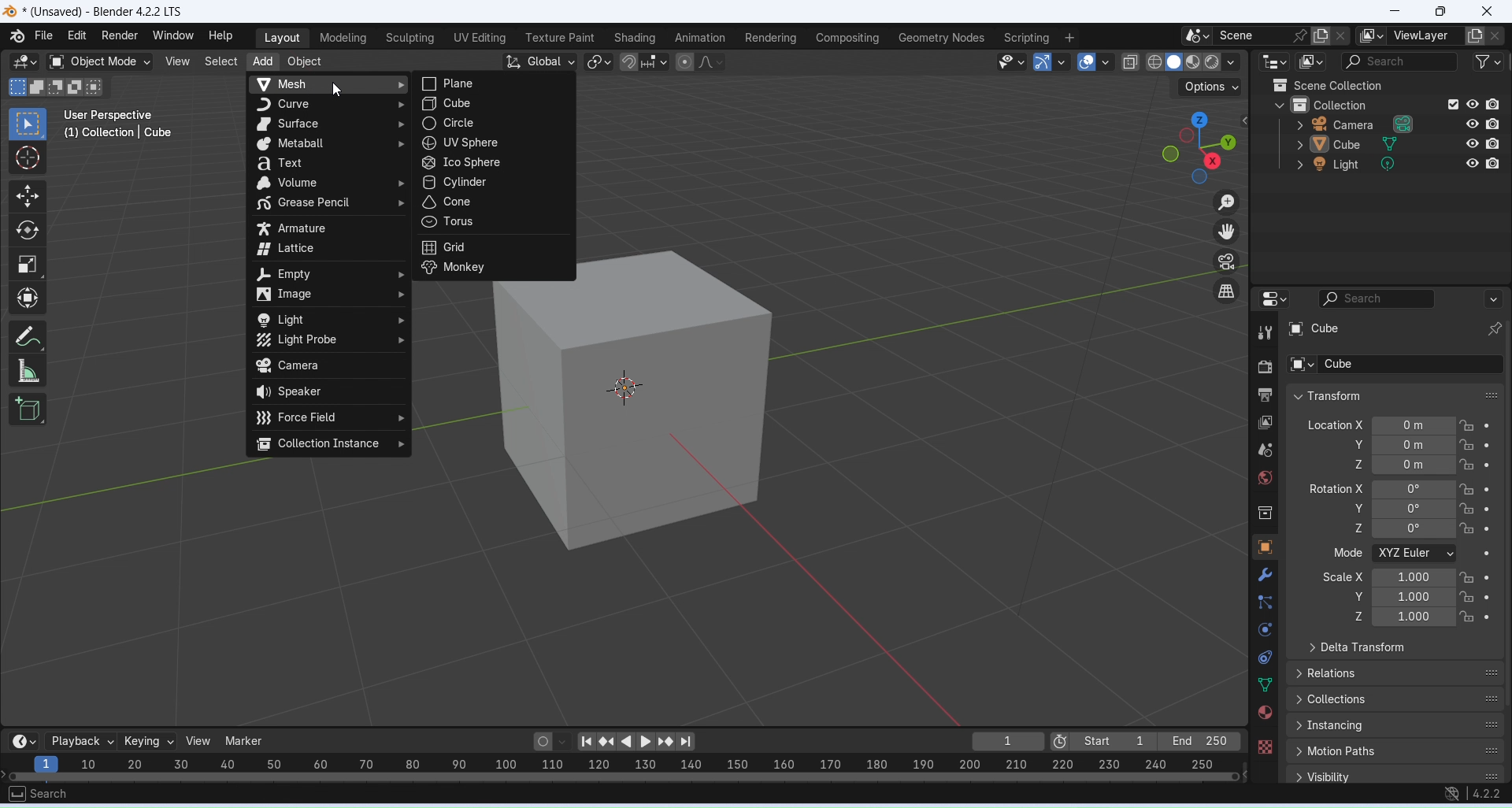  What do you see at coordinates (847, 39) in the screenshot?
I see `Compositing` at bounding box center [847, 39].